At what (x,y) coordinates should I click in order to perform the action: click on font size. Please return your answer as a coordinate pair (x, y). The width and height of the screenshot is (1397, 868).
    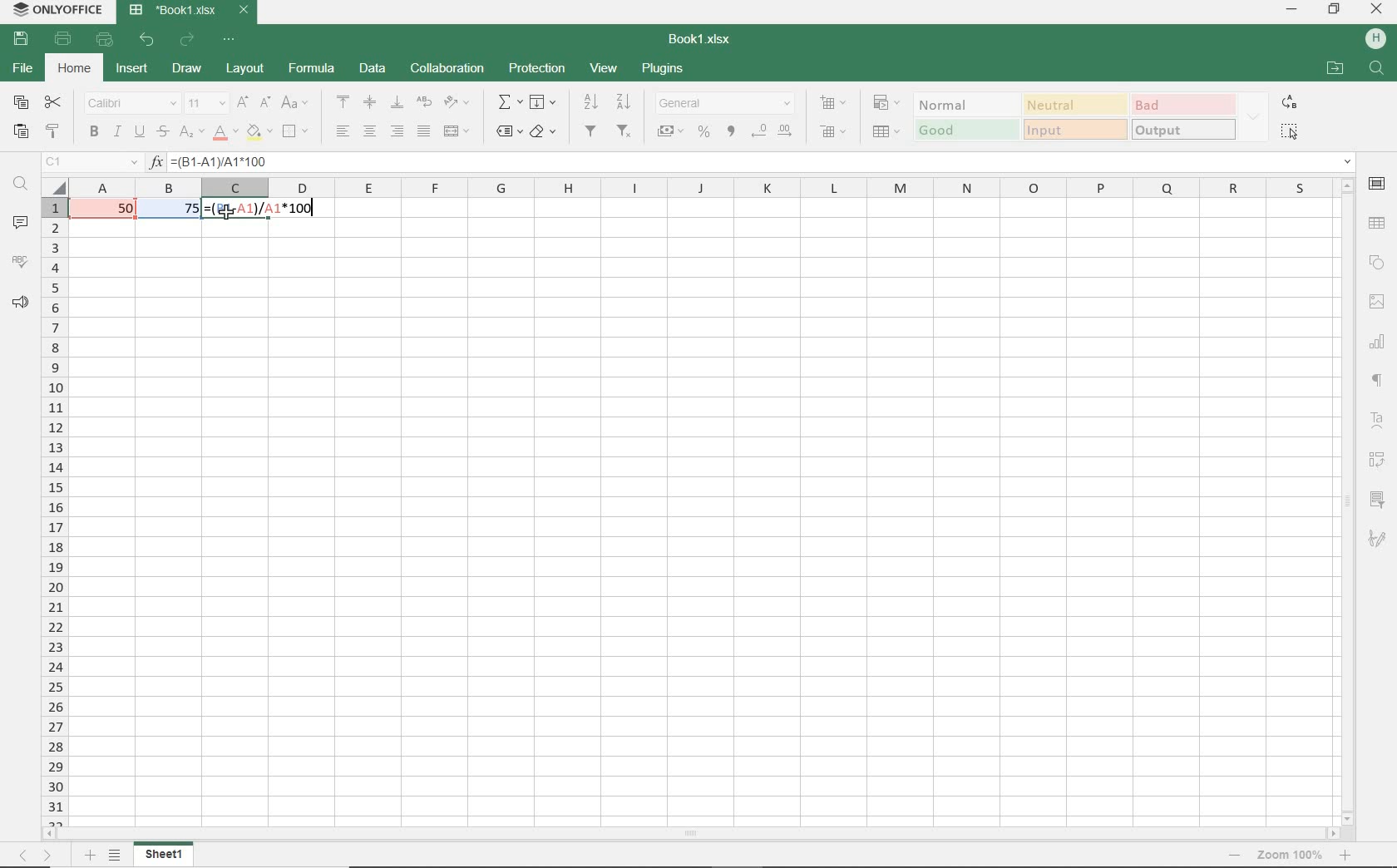
    Looking at the image, I should click on (206, 104).